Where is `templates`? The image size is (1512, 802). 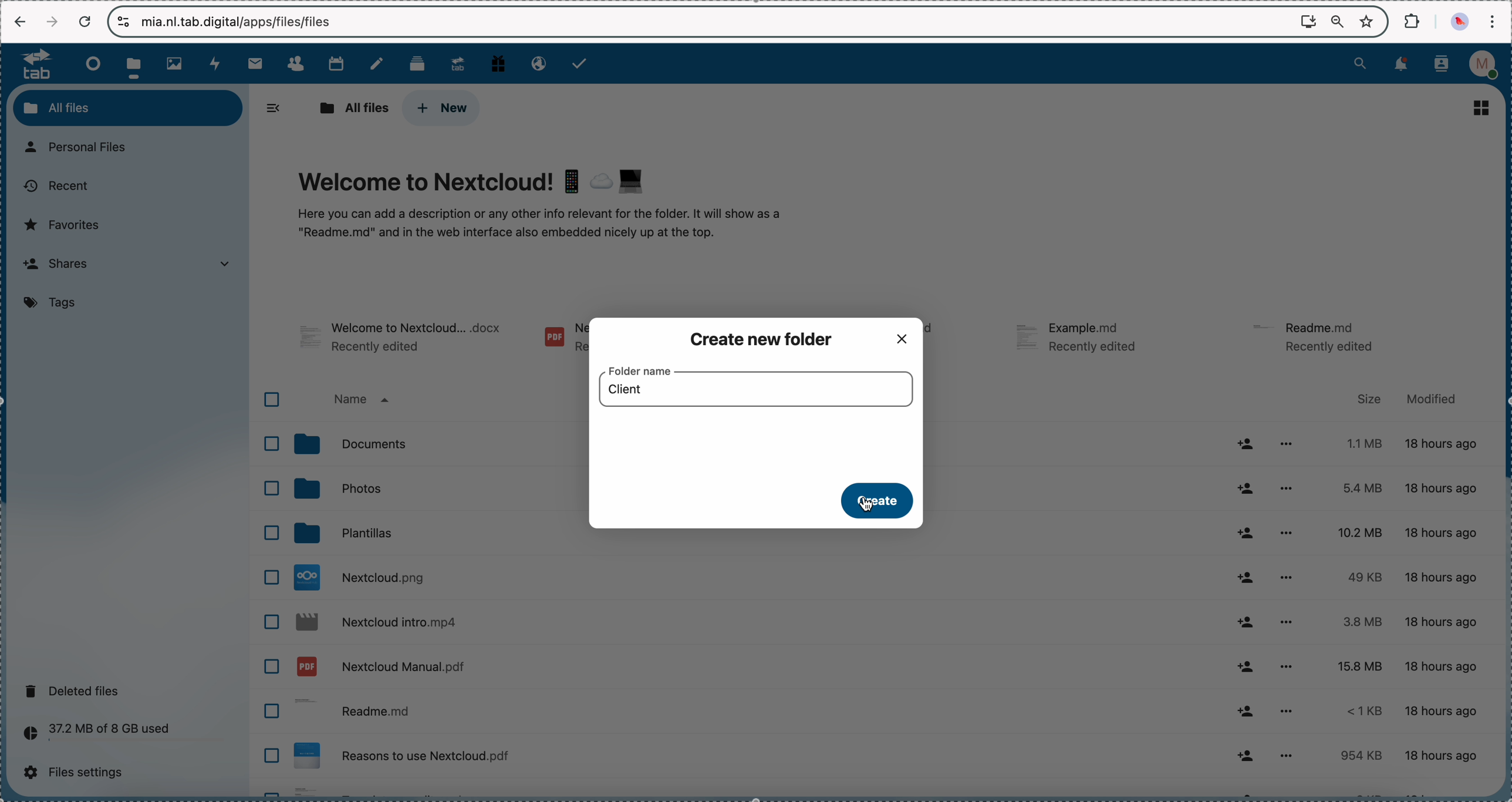 templates is located at coordinates (435, 535).